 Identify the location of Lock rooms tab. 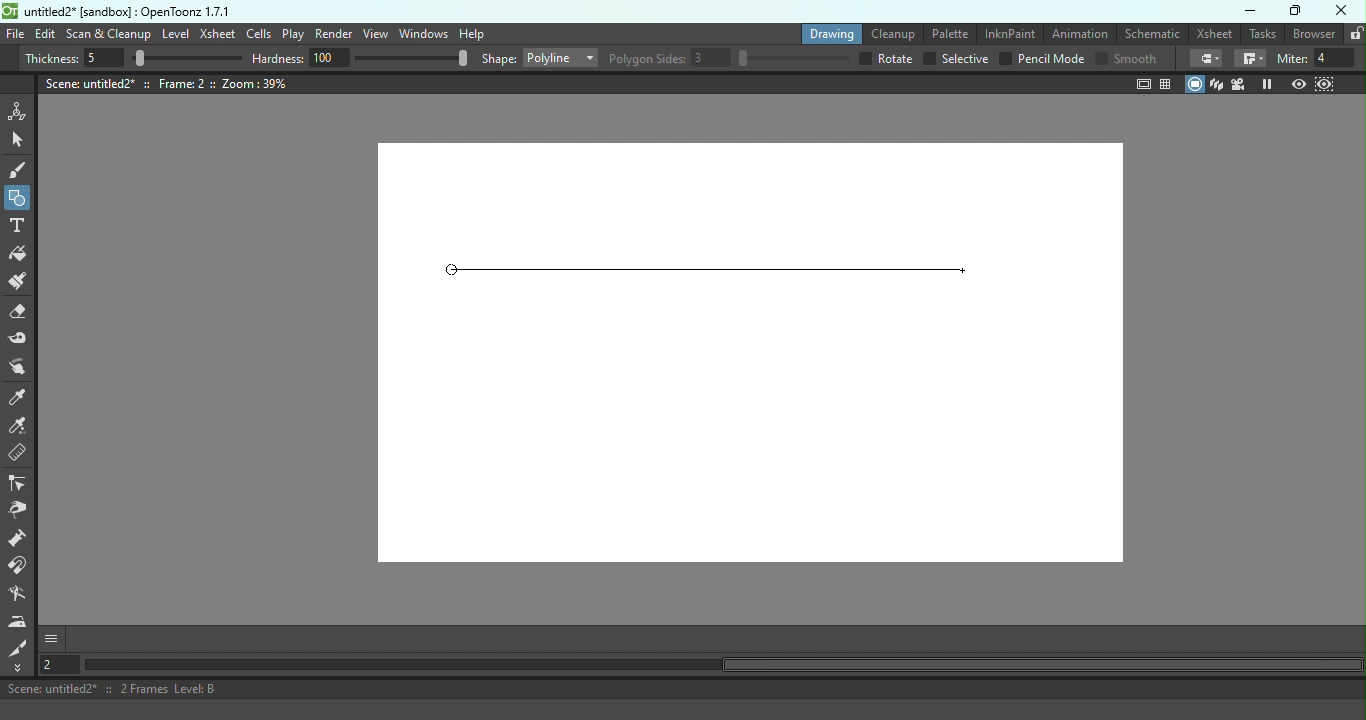
(1356, 34).